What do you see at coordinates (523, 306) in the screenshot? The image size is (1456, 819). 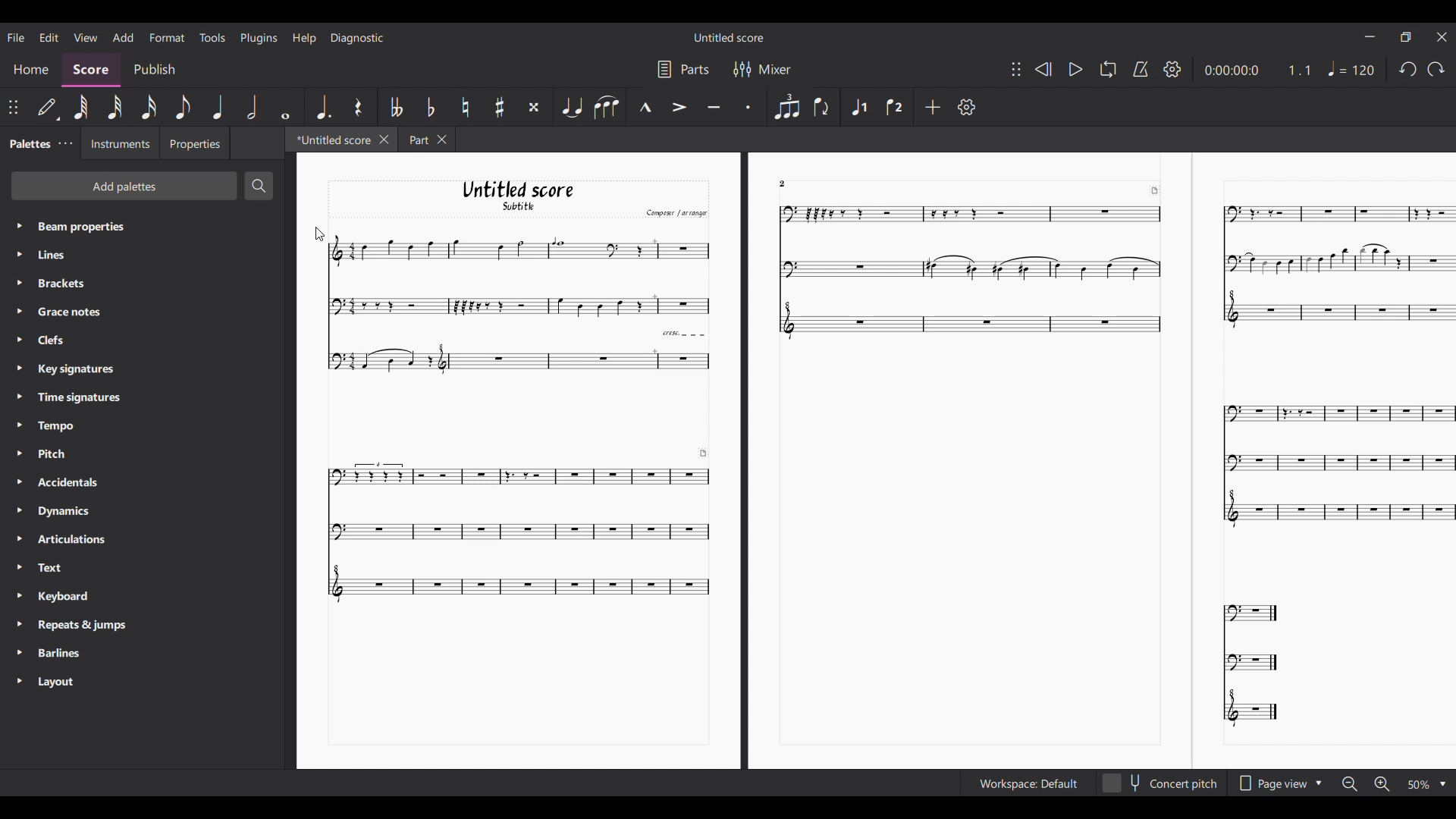 I see `` at bounding box center [523, 306].